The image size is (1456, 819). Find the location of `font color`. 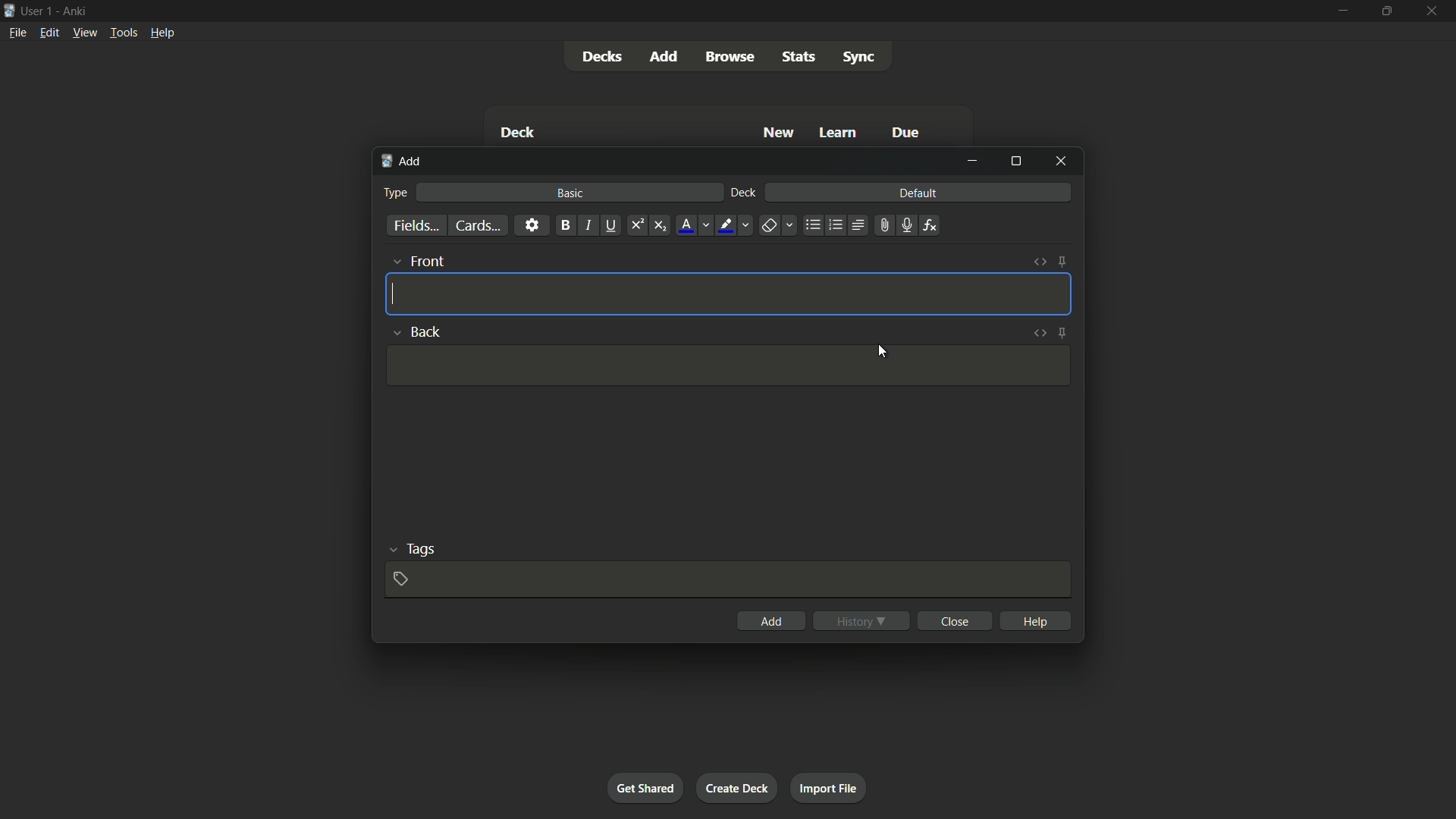

font color is located at coordinates (695, 226).